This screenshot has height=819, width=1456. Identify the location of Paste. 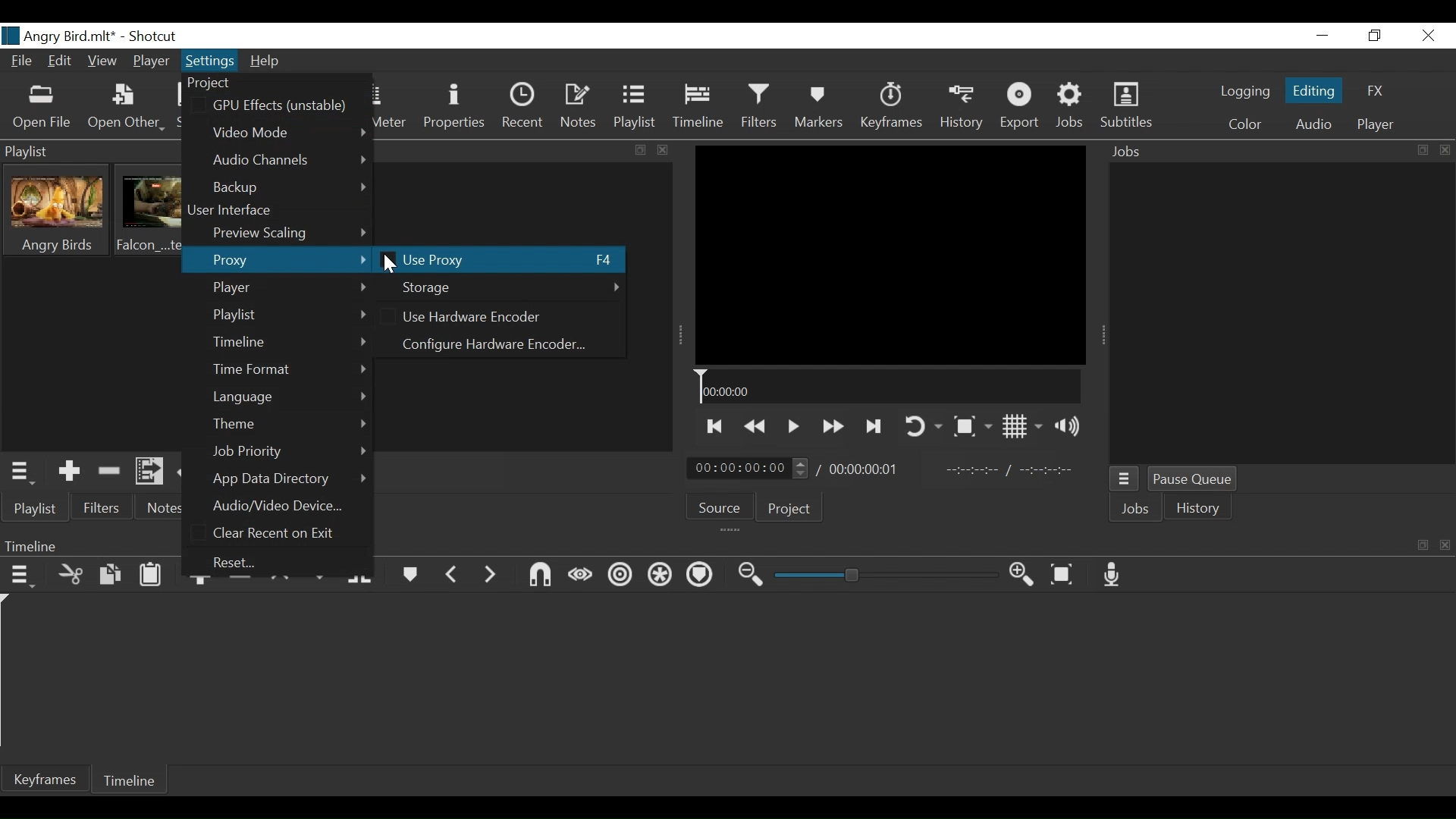
(152, 576).